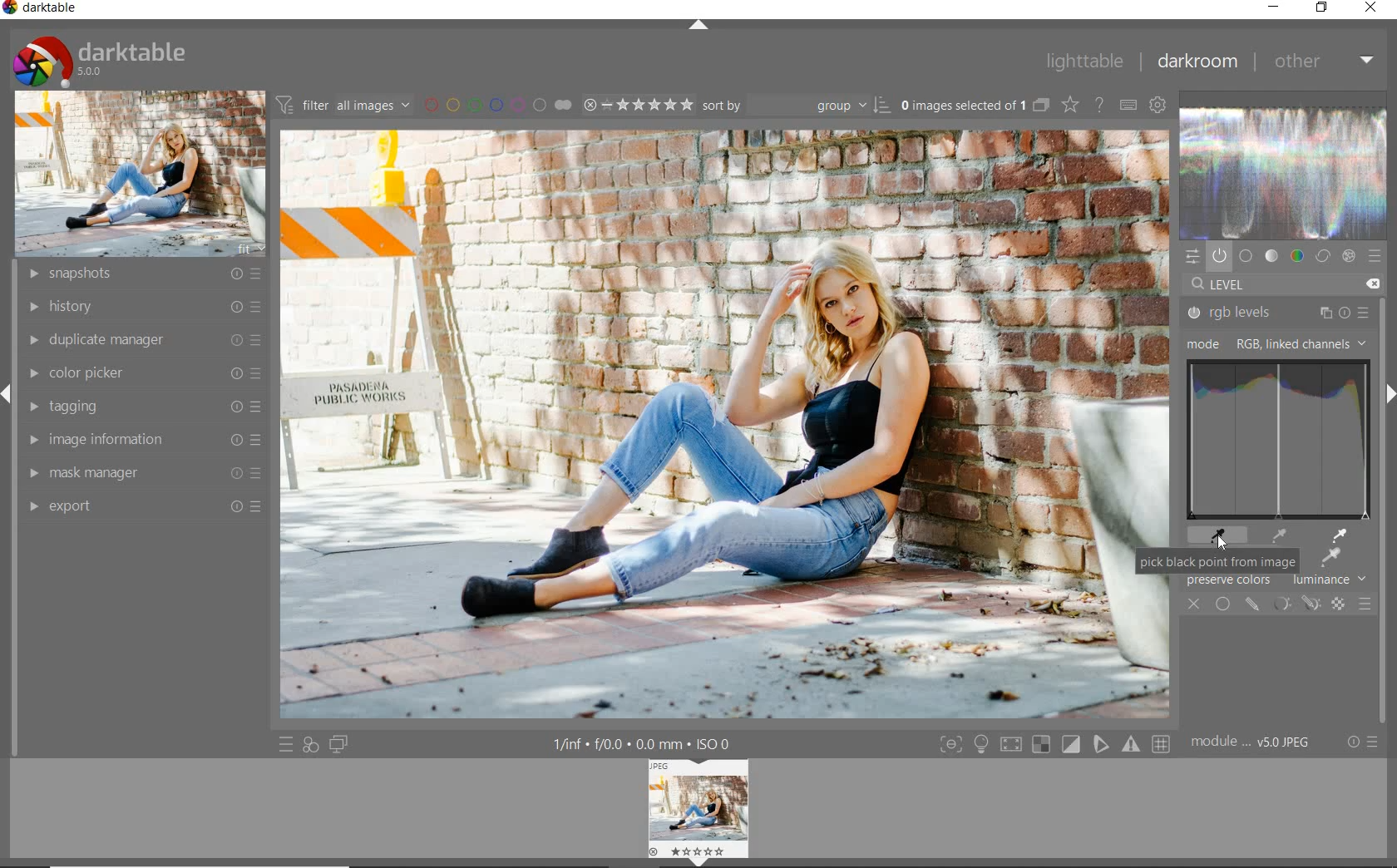 The height and width of the screenshot is (868, 1397). What do you see at coordinates (961, 106) in the screenshot?
I see `selected images` at bounding box center [961, 106].